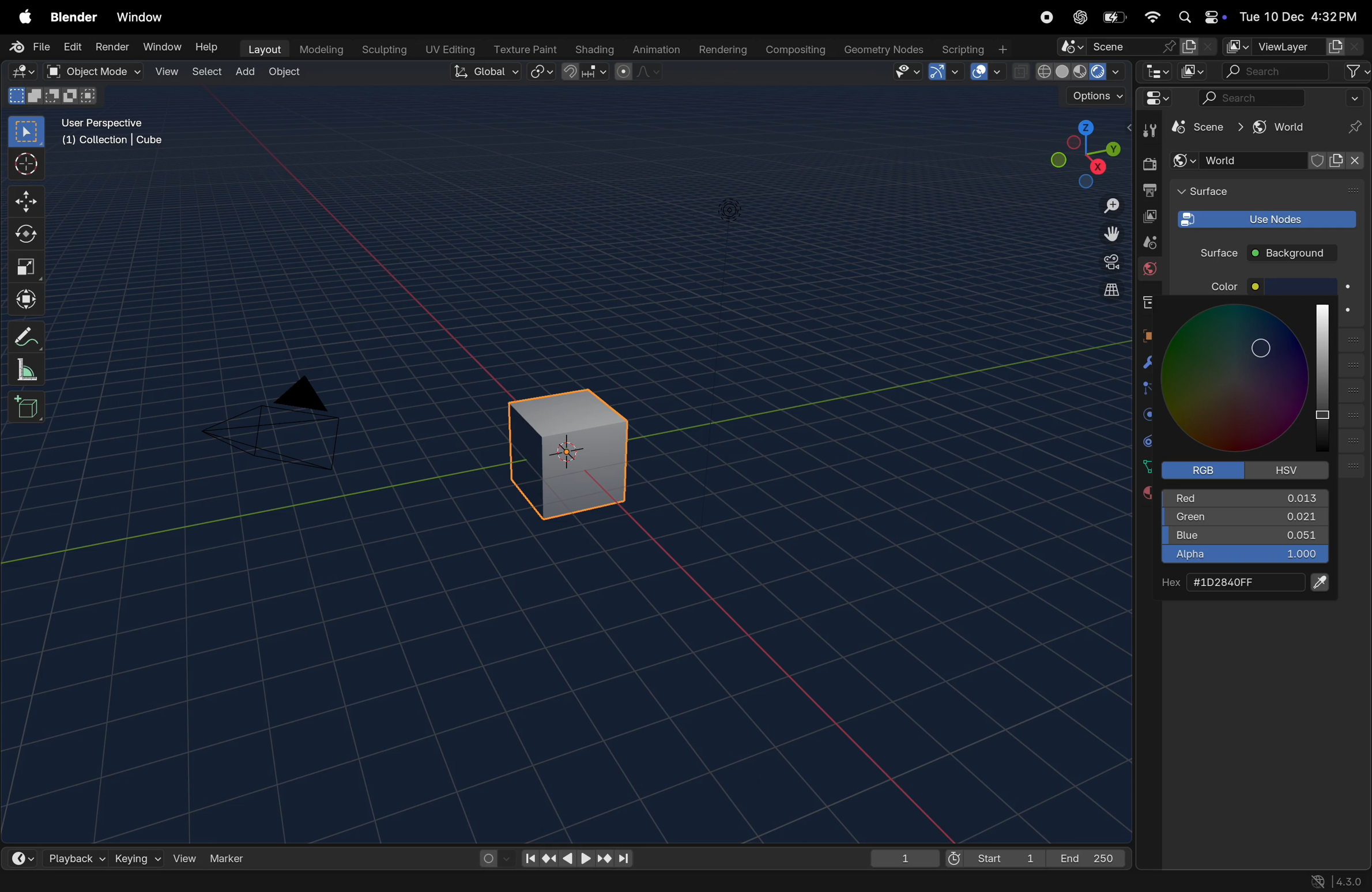 The width and height of the screenshot is (1372, 892). I want to click on cursor, so click(29, 165).